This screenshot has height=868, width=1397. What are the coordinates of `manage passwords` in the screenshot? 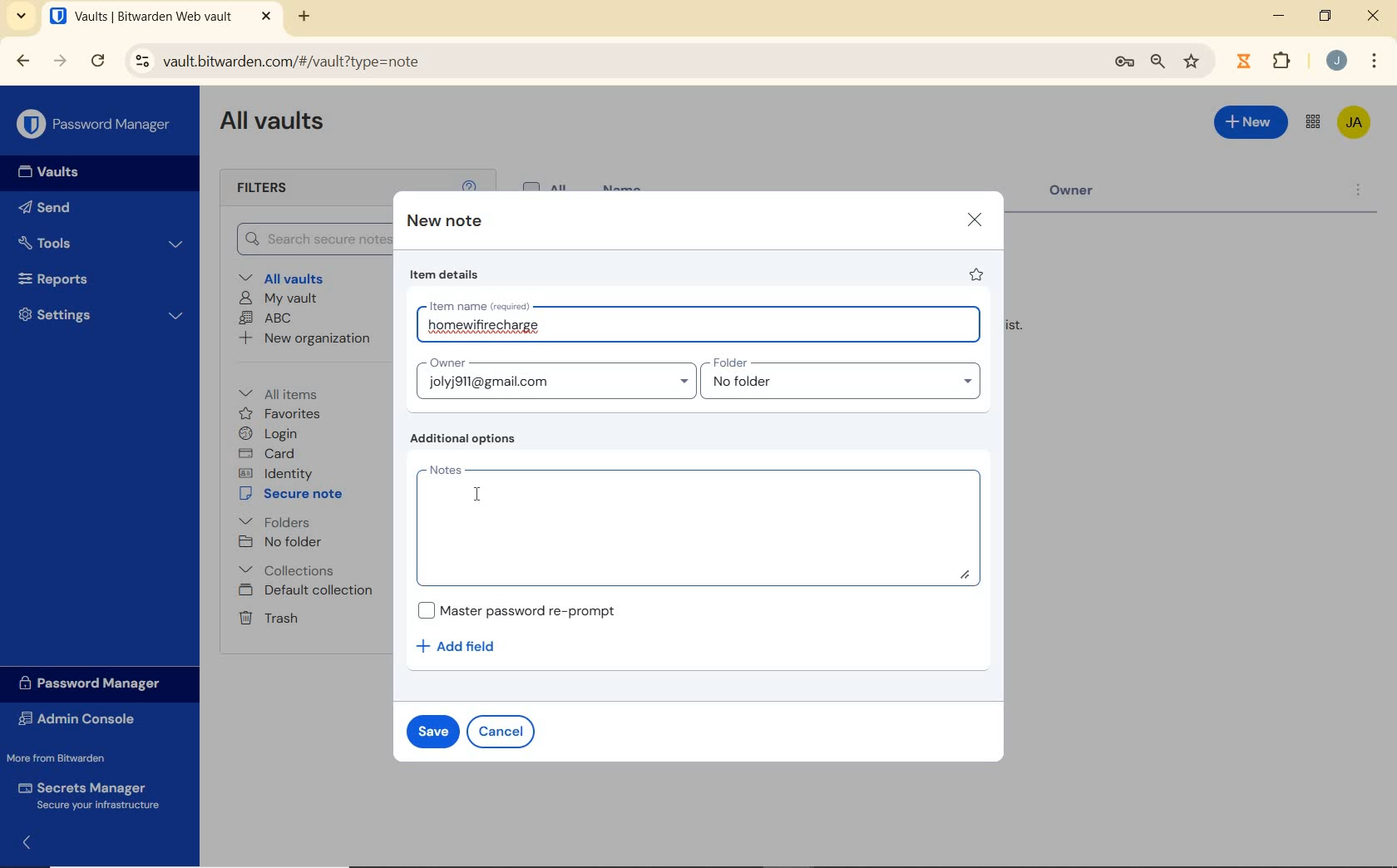 It's located at (1124, 65).